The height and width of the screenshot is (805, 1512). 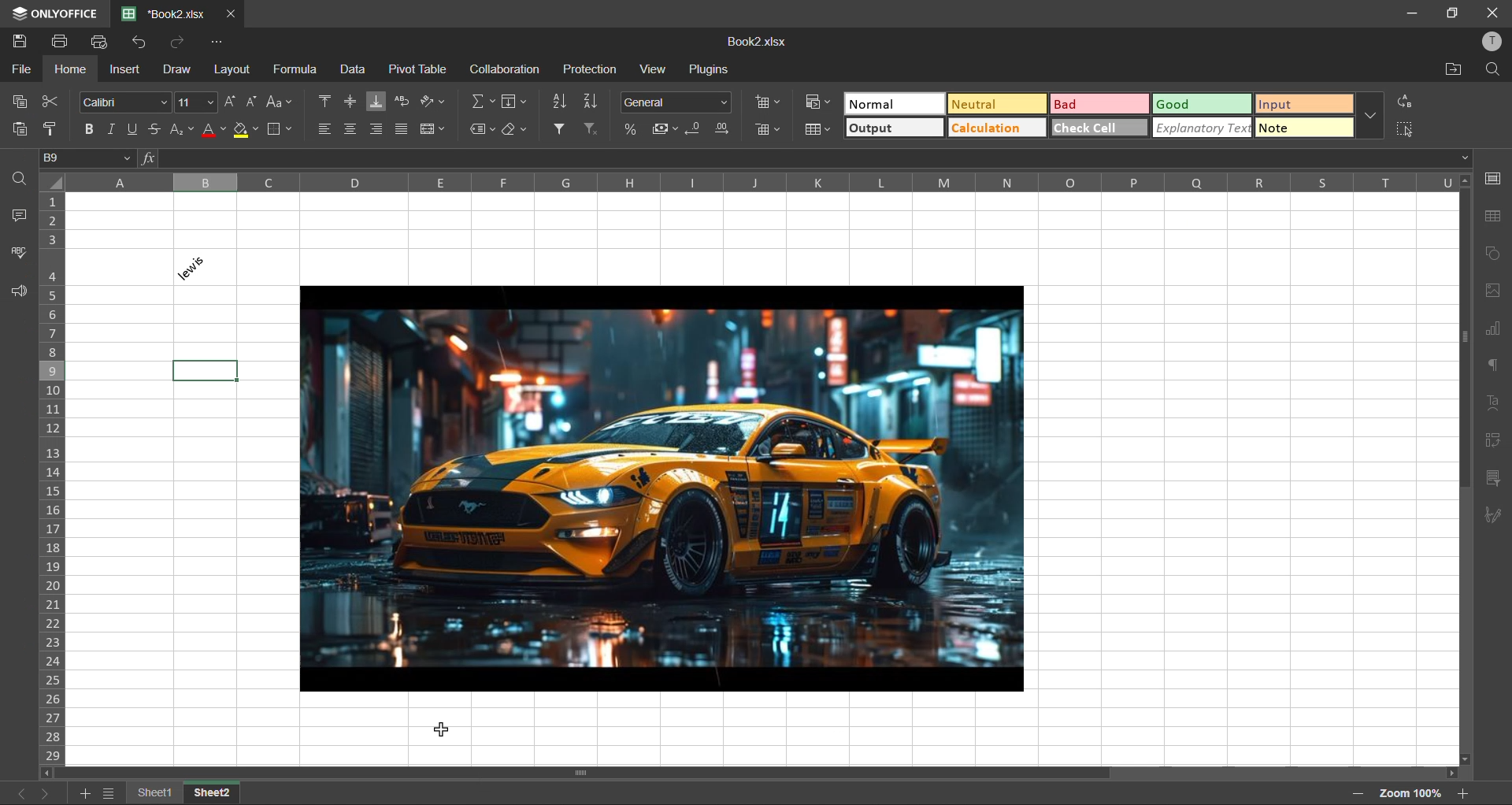 I want to click on output, so click(x=894, y=128).